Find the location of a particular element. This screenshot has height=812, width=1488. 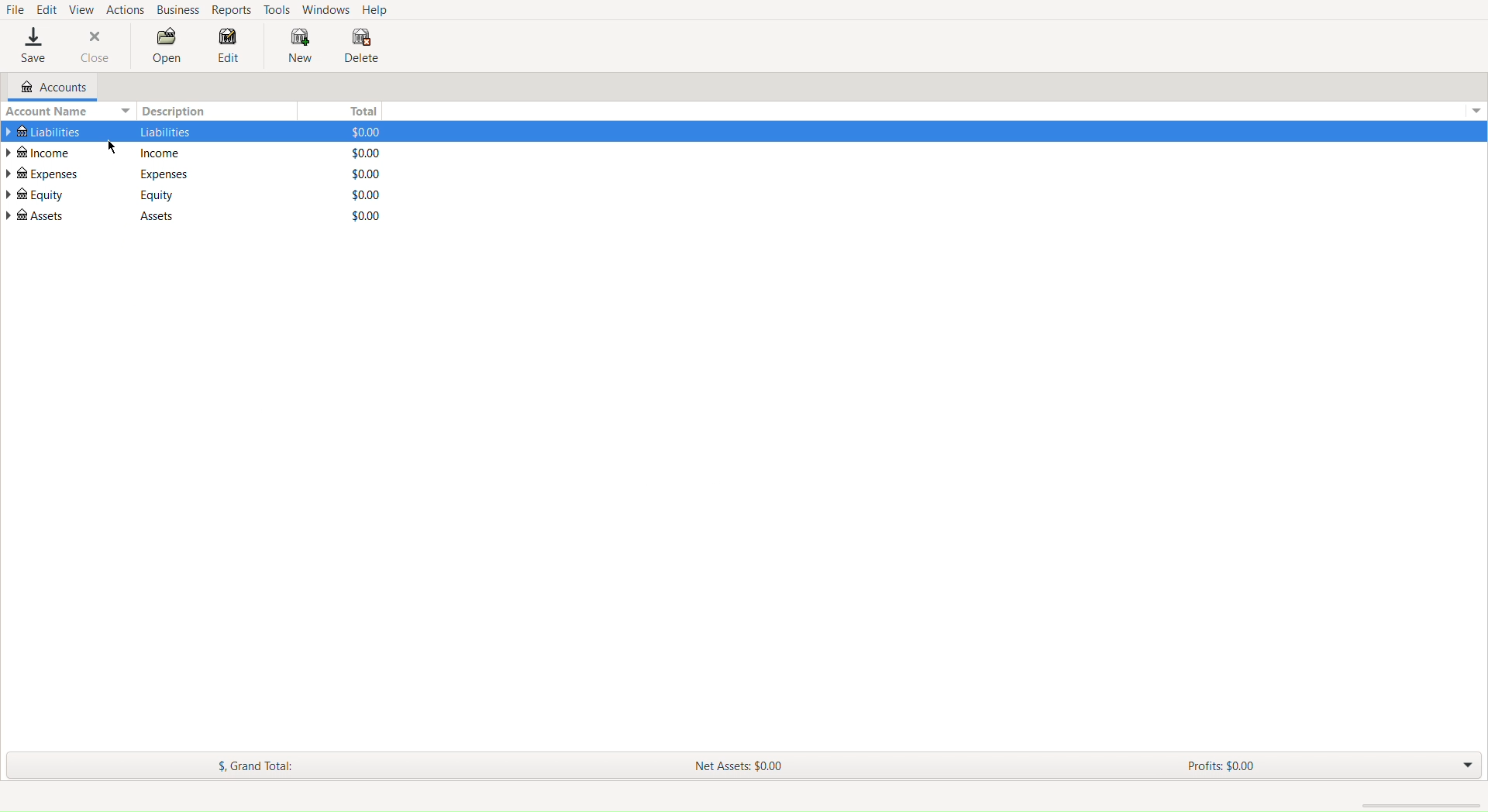

Account Name is located at coordinates (69, 113).